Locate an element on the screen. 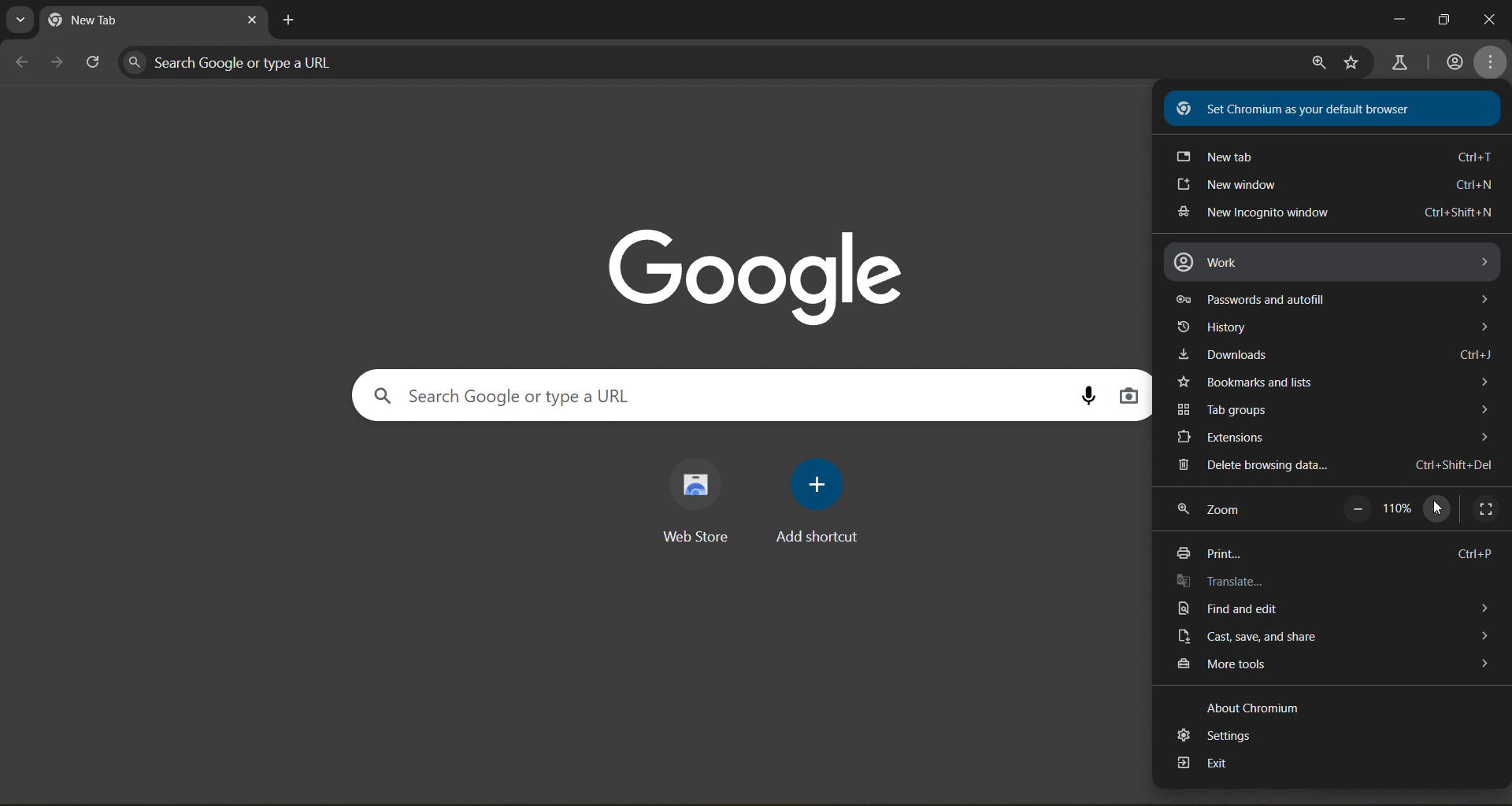  search is located at coordinates (1315, 63).